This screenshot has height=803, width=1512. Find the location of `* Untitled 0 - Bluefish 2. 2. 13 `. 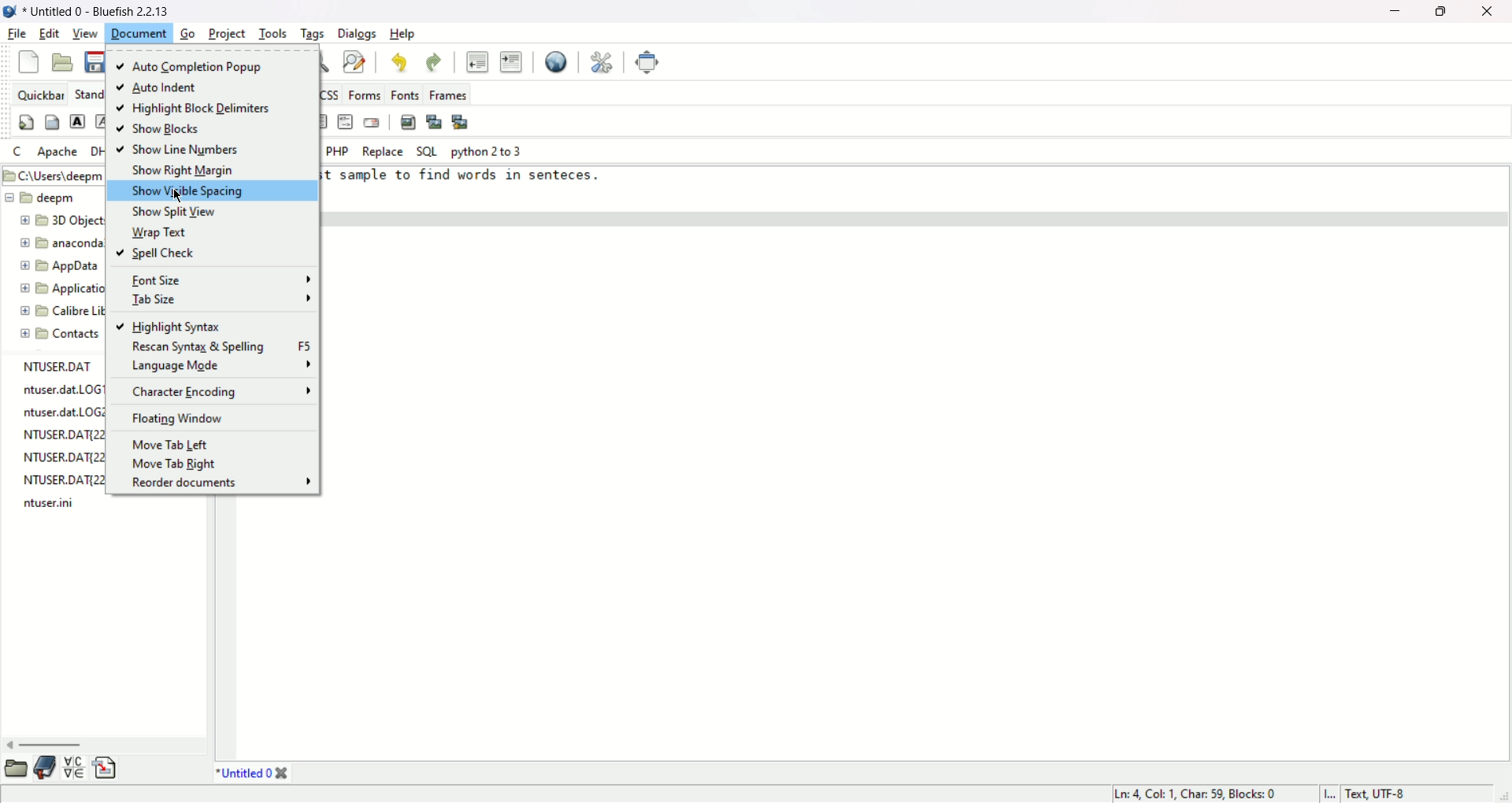

* Untitled 0 - Bluefish 2. 2. 13  is located at coordinates (102, 9).